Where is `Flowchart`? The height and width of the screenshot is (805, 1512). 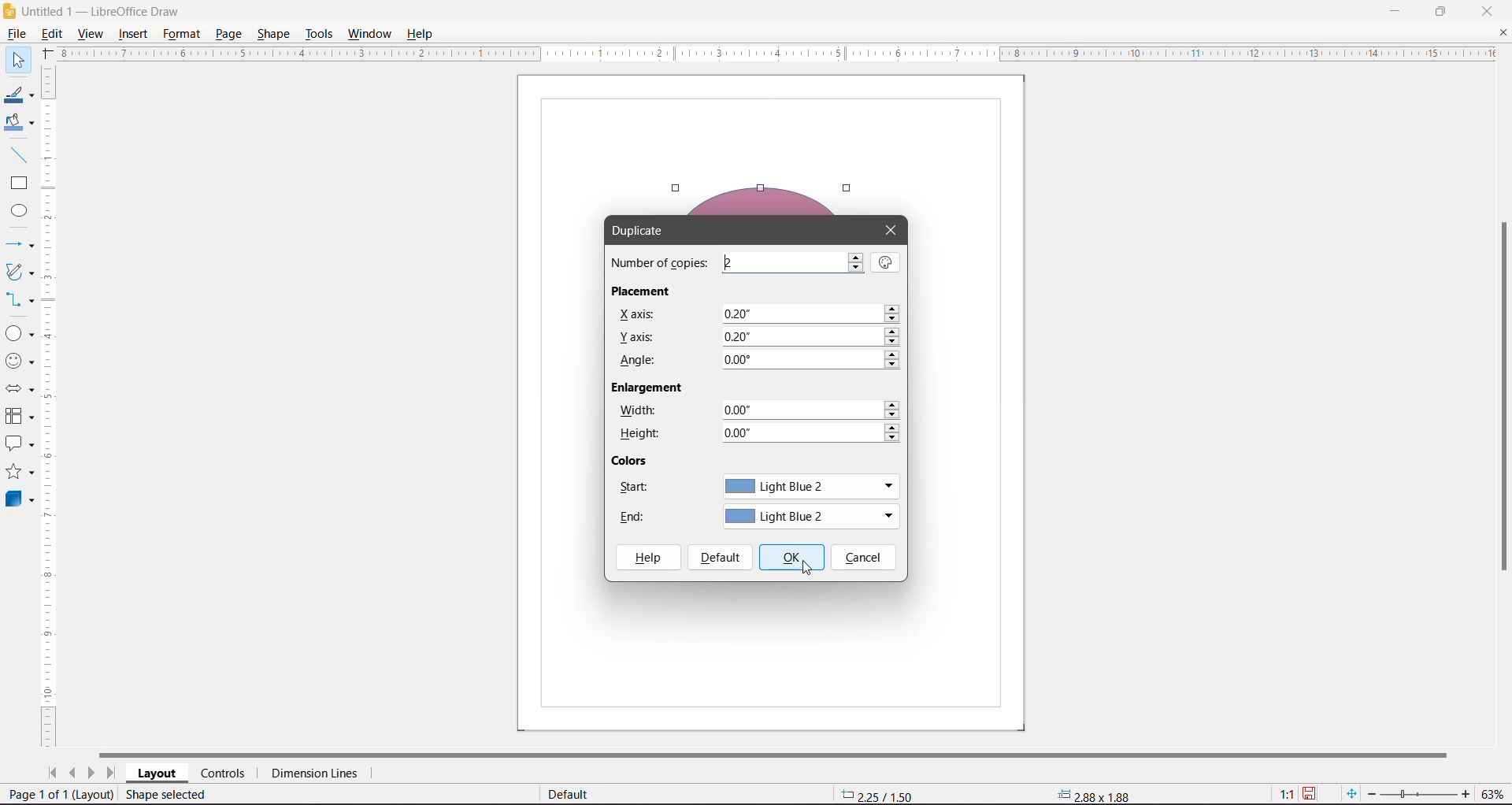
Flowchart is located at coordinates (20, 416).